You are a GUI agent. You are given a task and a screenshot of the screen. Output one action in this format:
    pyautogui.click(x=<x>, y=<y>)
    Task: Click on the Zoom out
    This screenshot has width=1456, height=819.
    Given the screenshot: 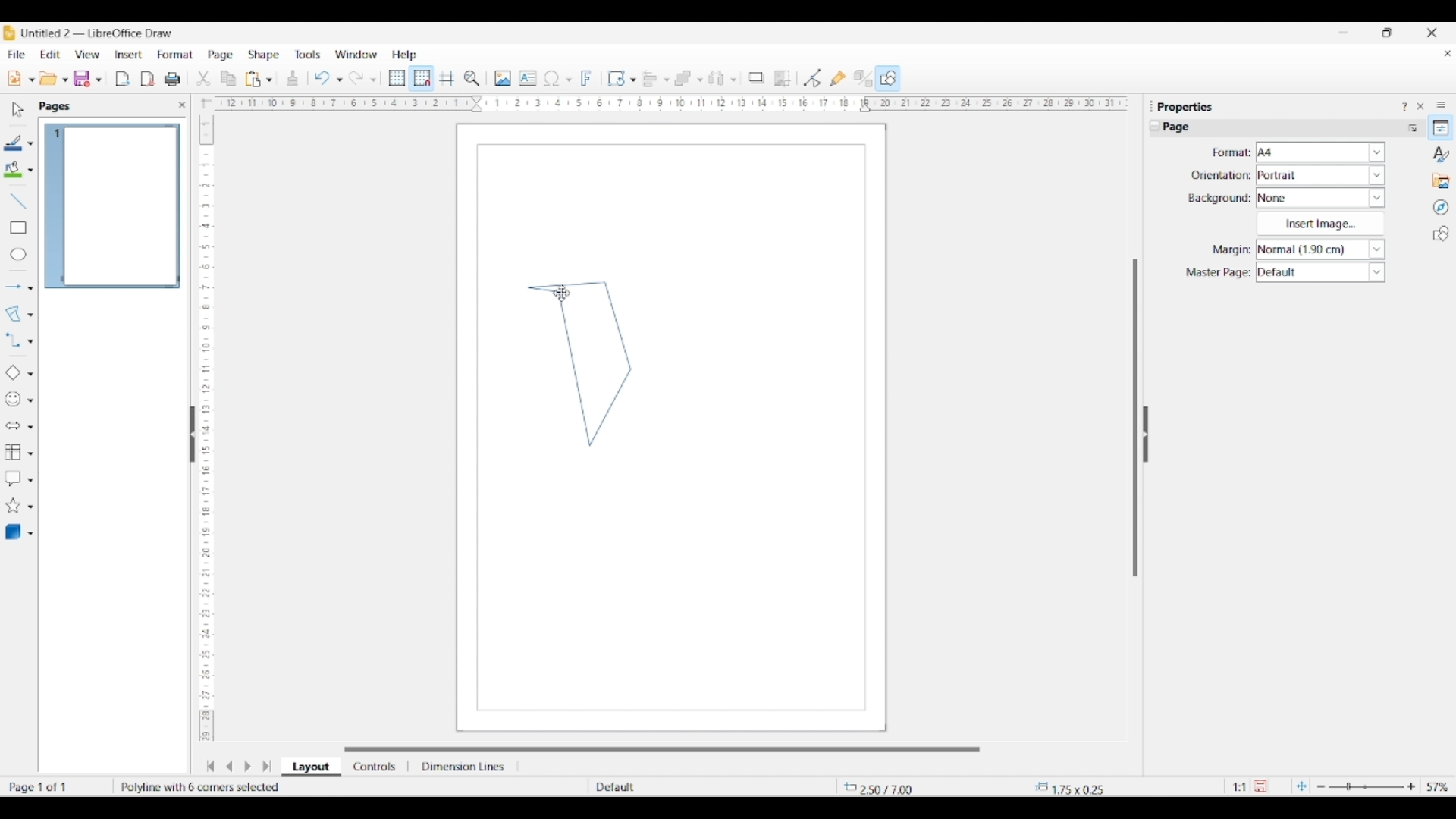 What is the action you would take?
    pyautogui.click(x=1321, y=787)
    